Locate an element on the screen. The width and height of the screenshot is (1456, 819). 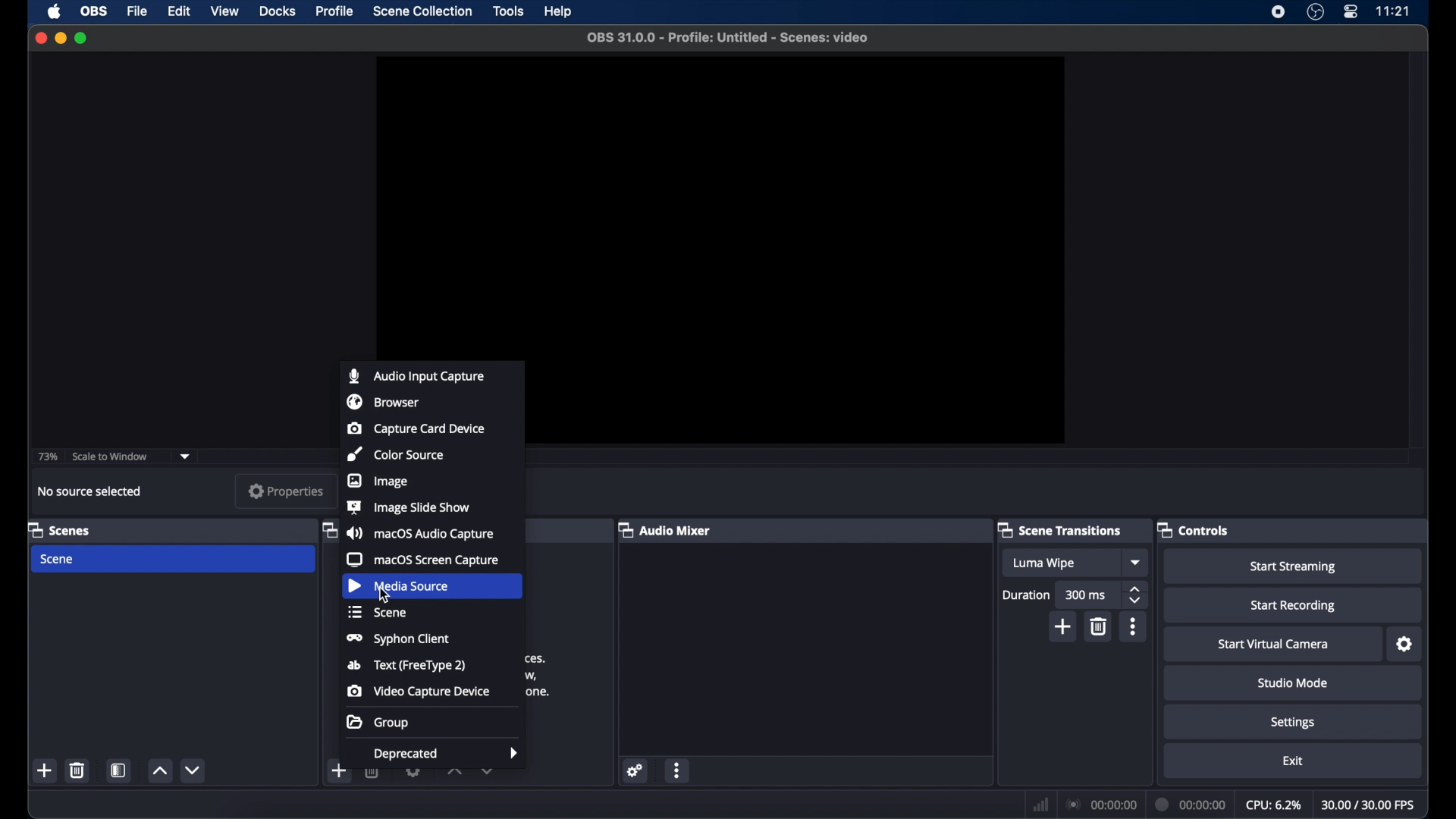
cursor is located at coordinates (384, 595).